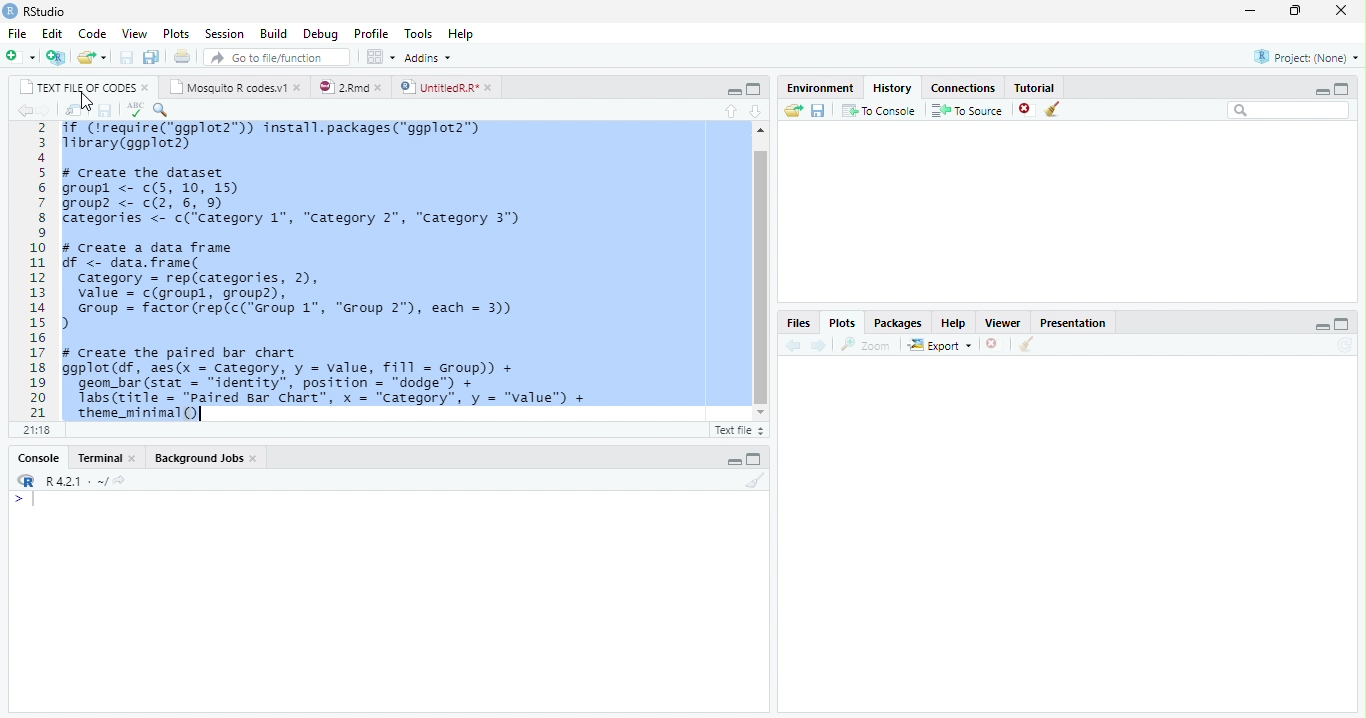 The height and width of the screenshot is (718, 1366). I want to click on addins, so click(431, 57).